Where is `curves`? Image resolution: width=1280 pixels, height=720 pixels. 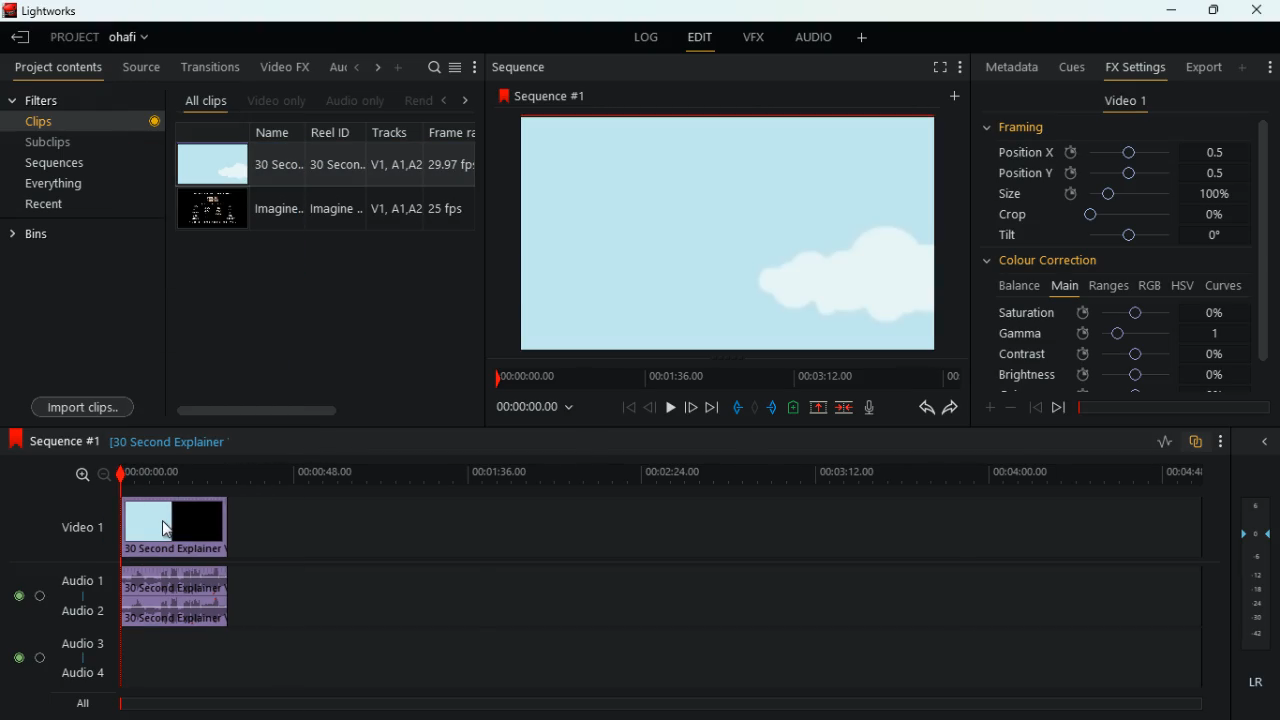
curves is located at coordinates (1224, 284).